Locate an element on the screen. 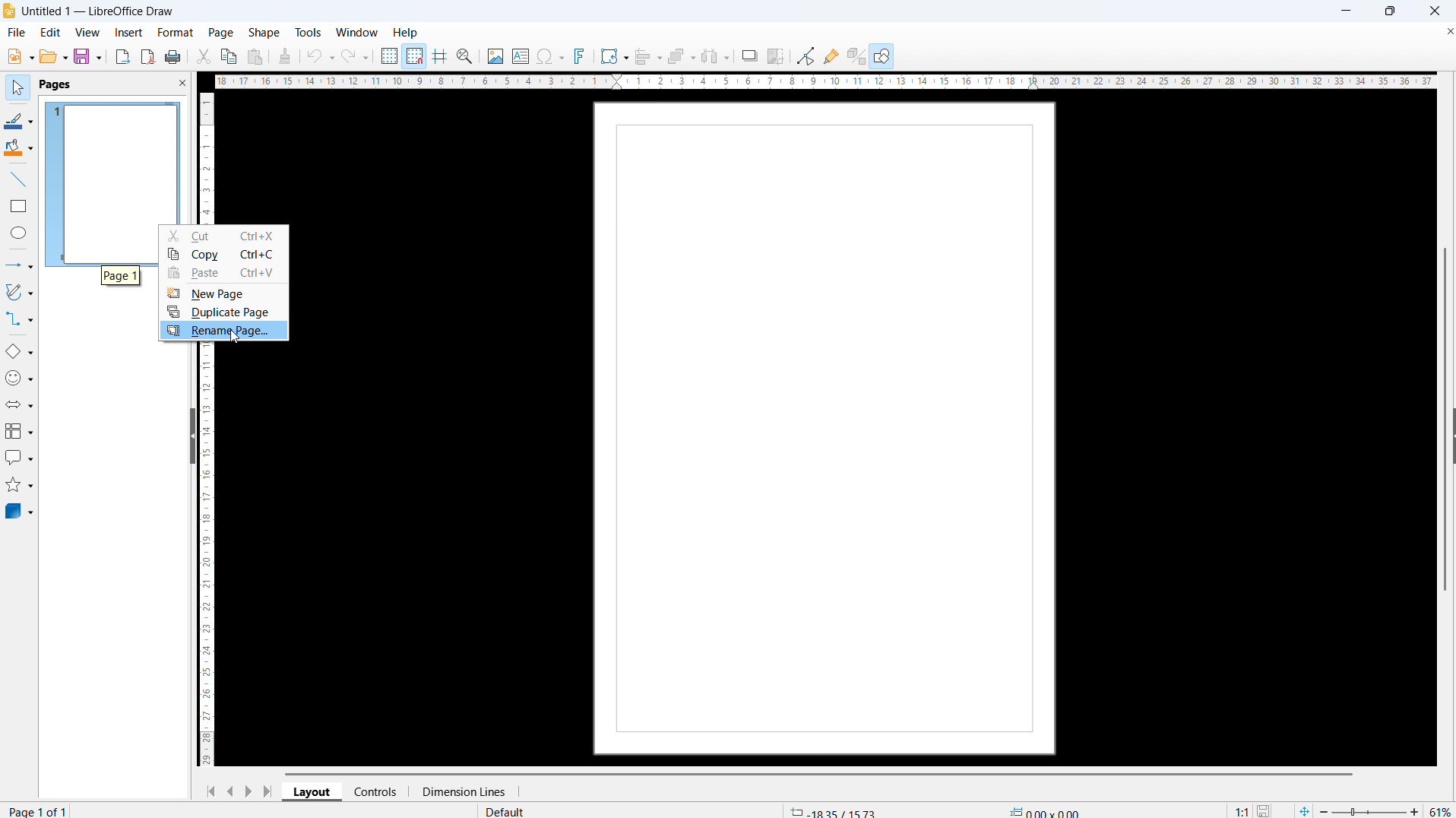  copy is located at coordinates (223, 255).